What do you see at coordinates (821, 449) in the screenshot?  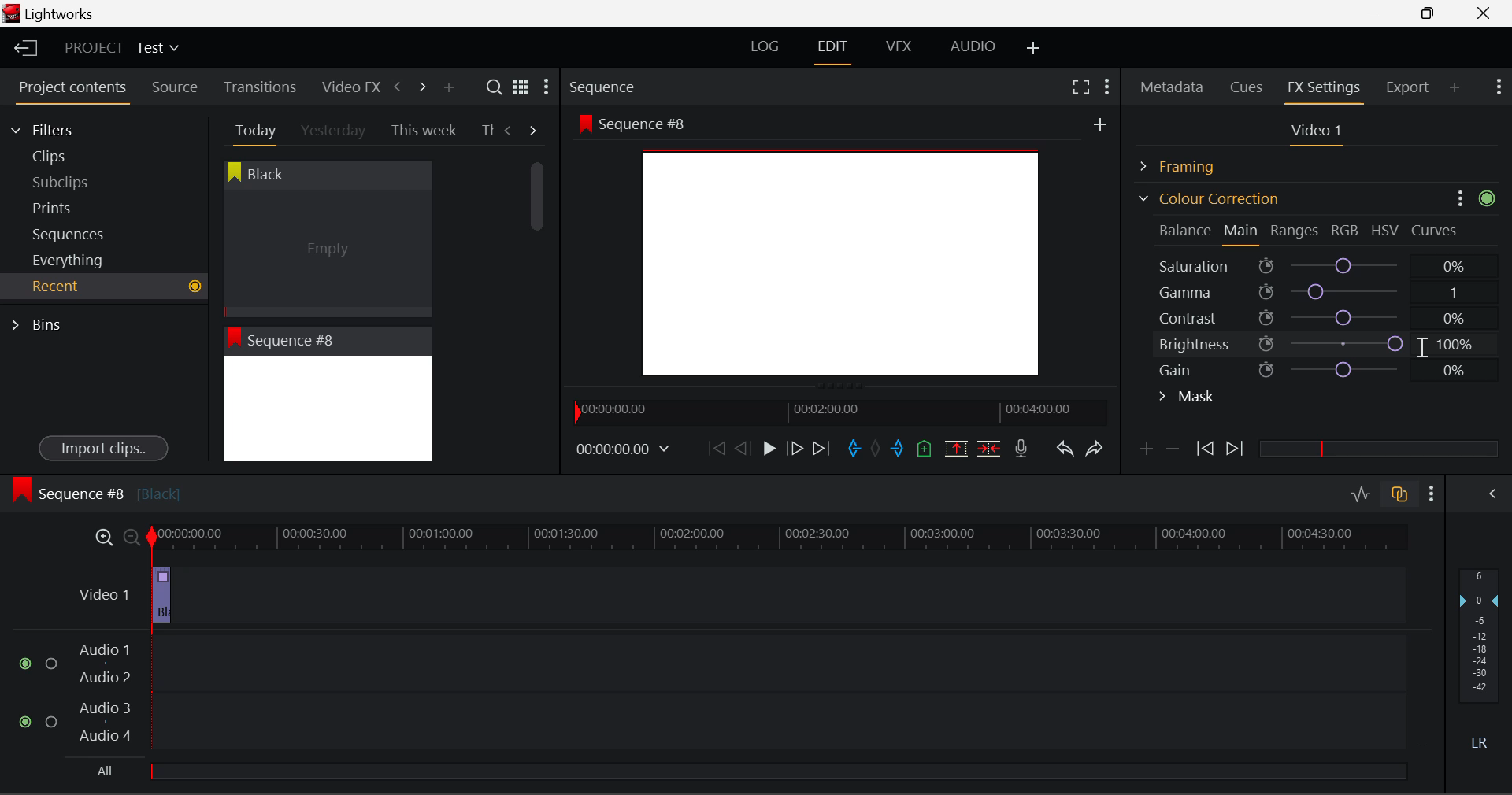 I see `To End` at bounding box center [821, 449].